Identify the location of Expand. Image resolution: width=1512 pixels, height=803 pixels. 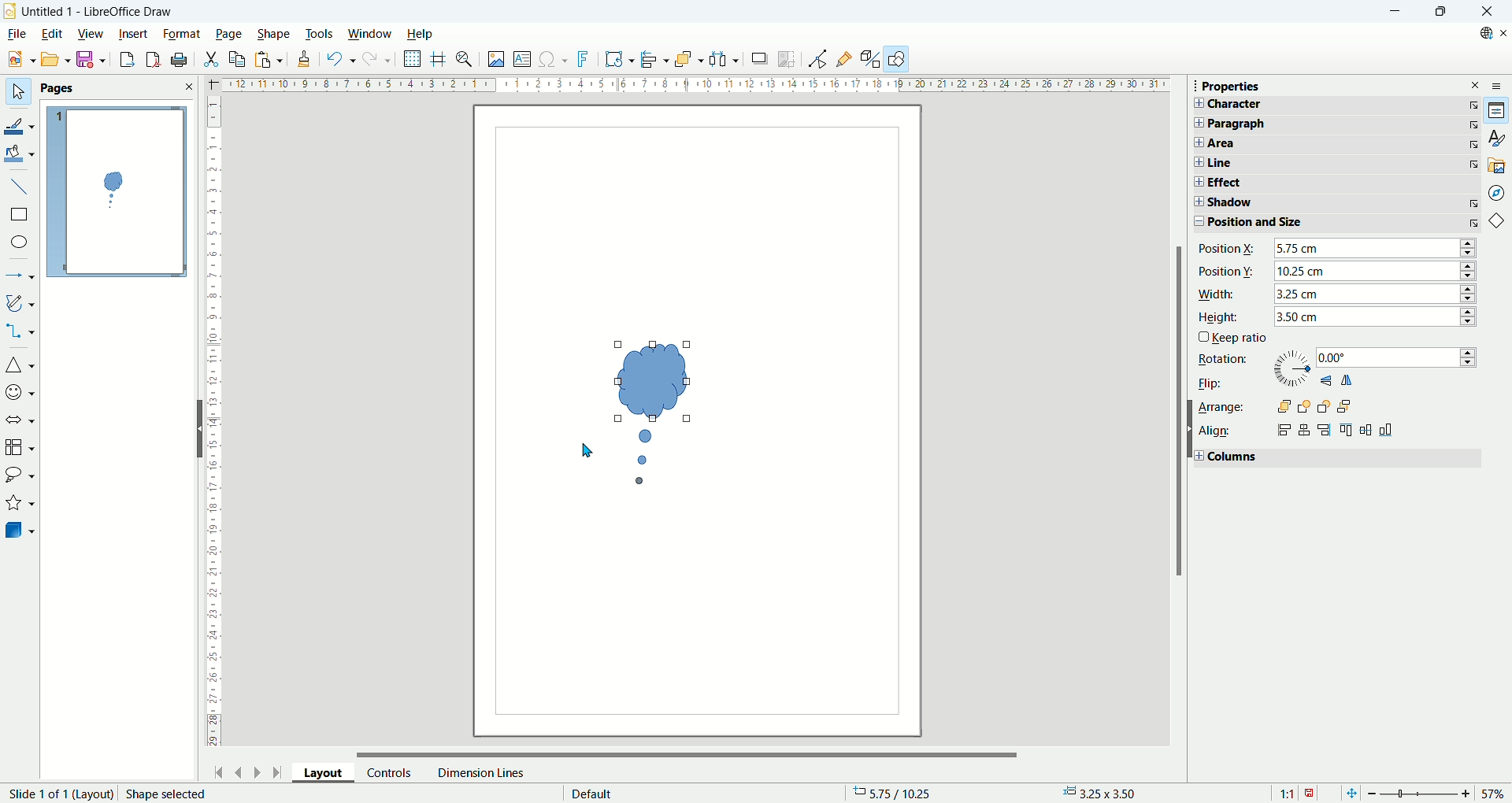
(1196, 102).